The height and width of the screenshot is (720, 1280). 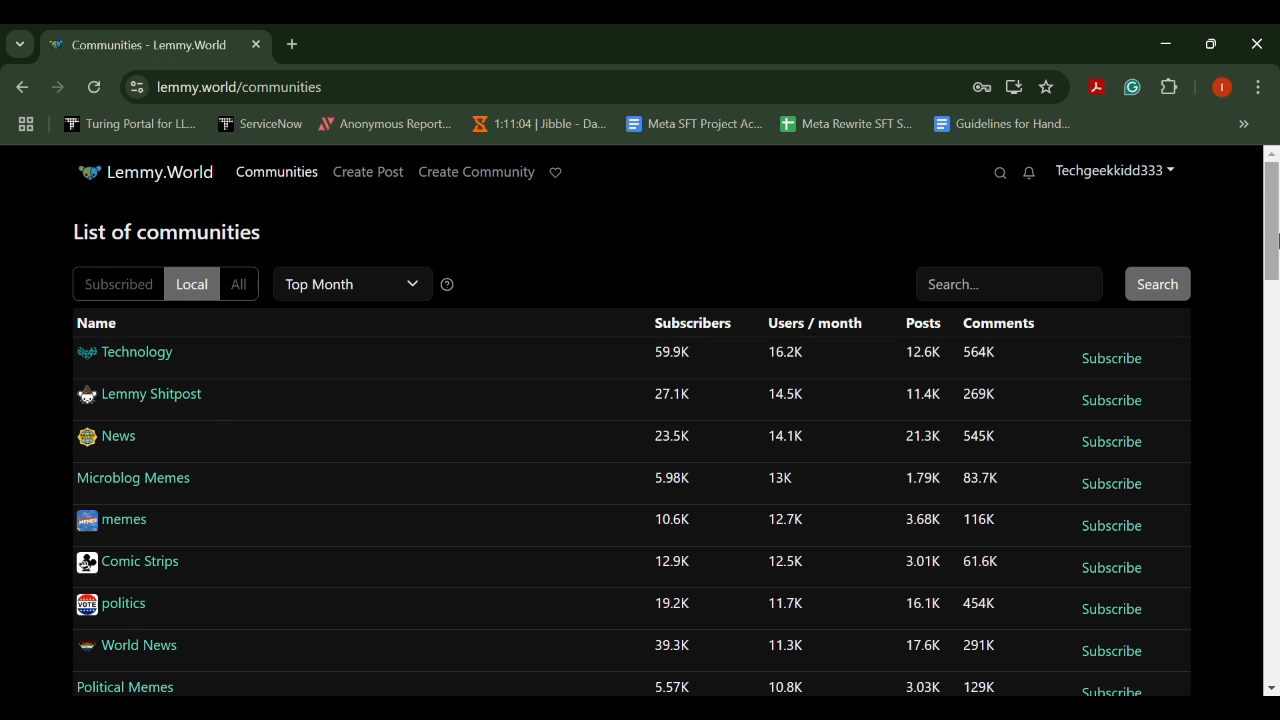 I want to click on Search Button, so click(x=1159, y=283).